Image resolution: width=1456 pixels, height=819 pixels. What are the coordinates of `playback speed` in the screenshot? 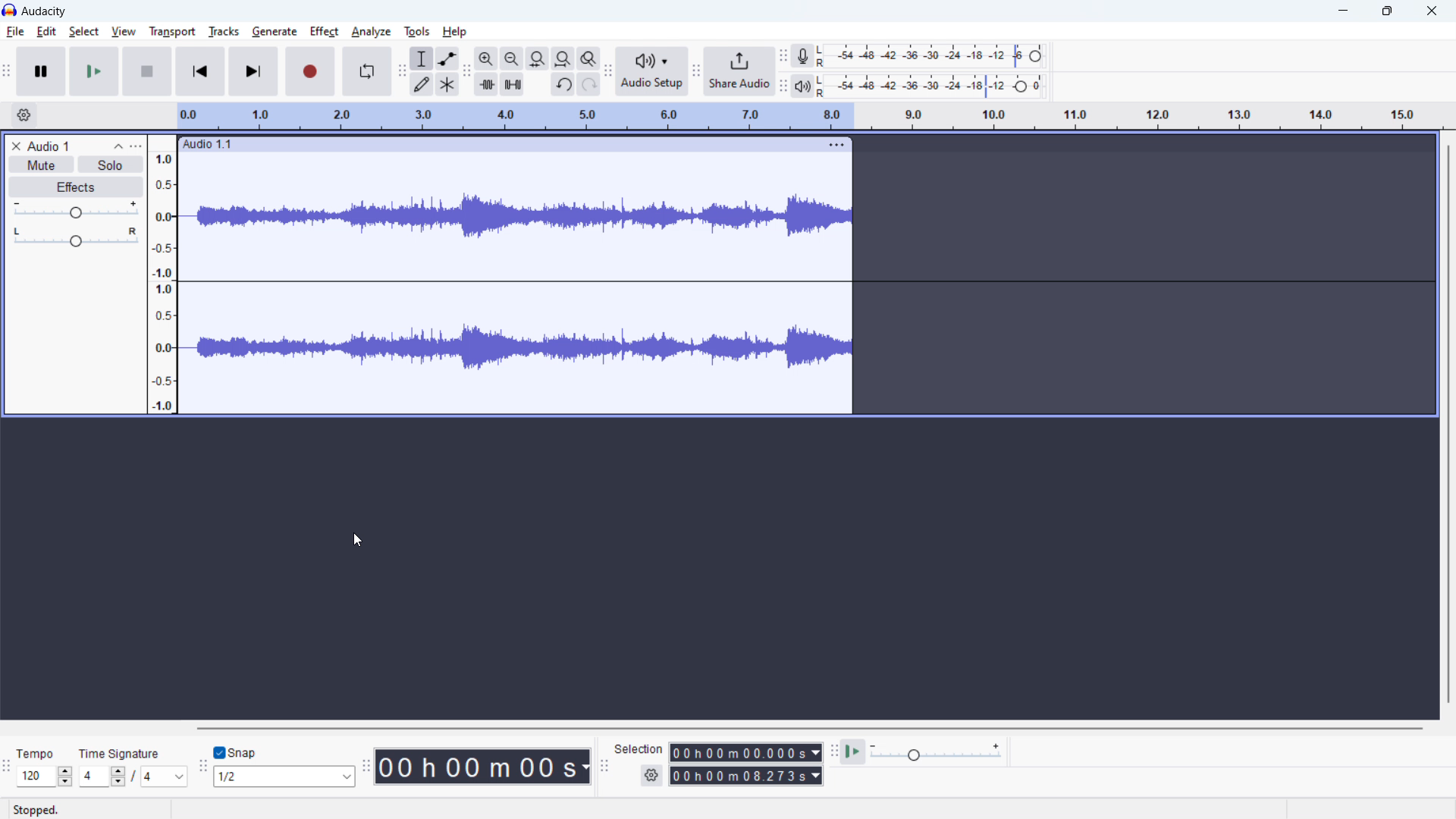 It's located at (937, 752).